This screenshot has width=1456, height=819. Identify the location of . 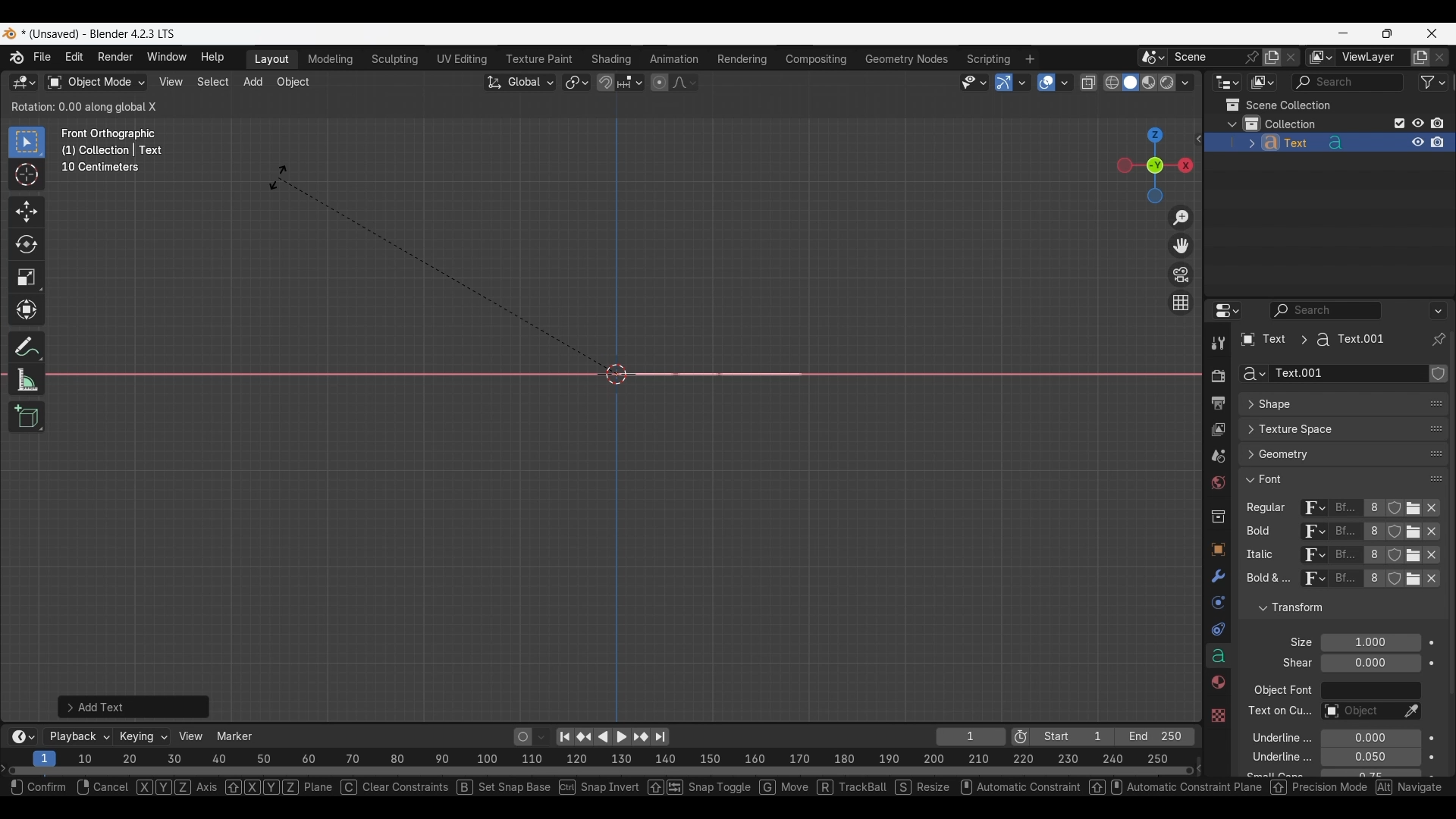
(1260, 534).